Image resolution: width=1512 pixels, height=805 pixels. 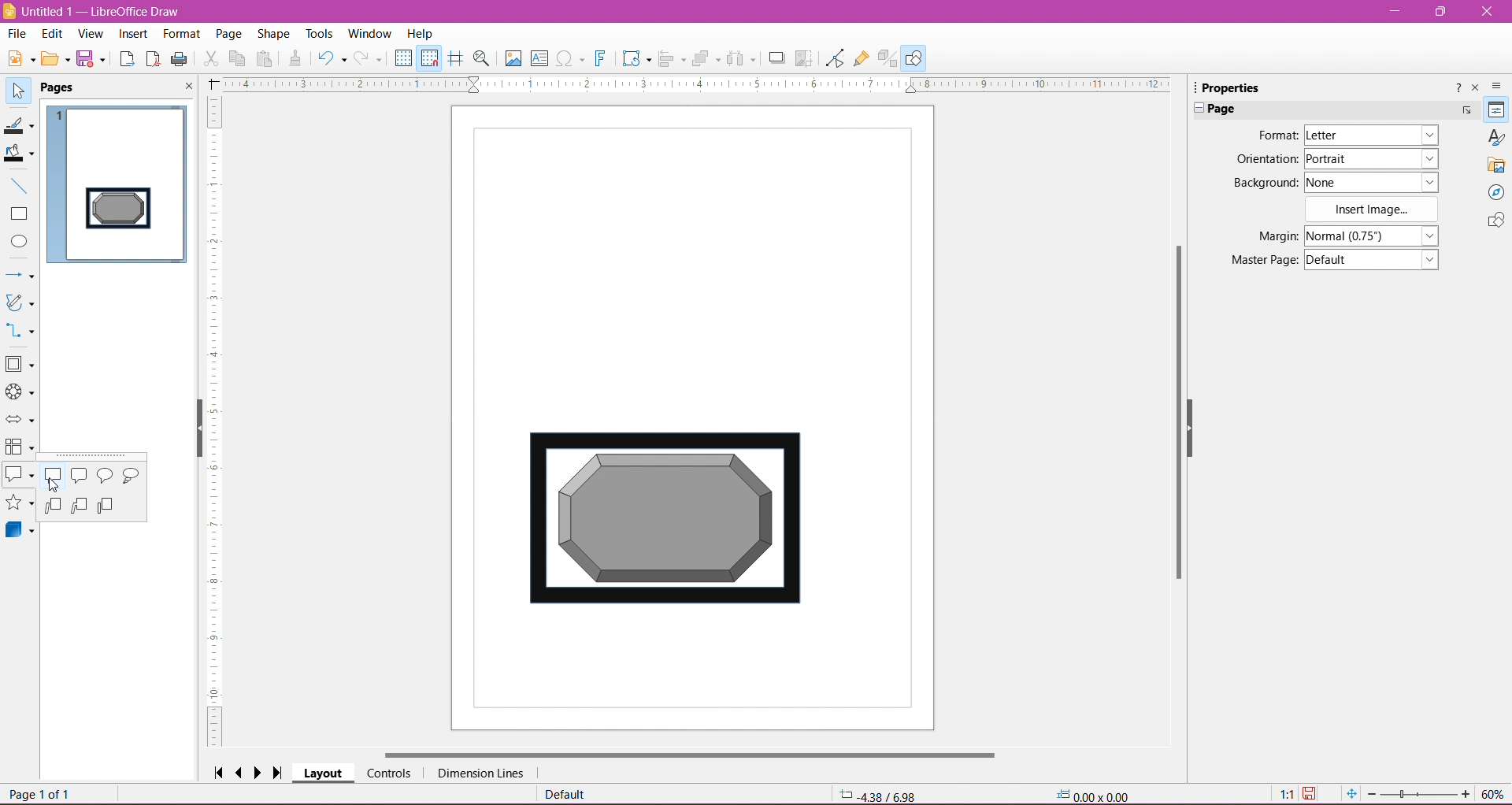 What do you see at coordinates (314, 32) in the screenshot?
I see `Tools` at bounding box center [314, 32].